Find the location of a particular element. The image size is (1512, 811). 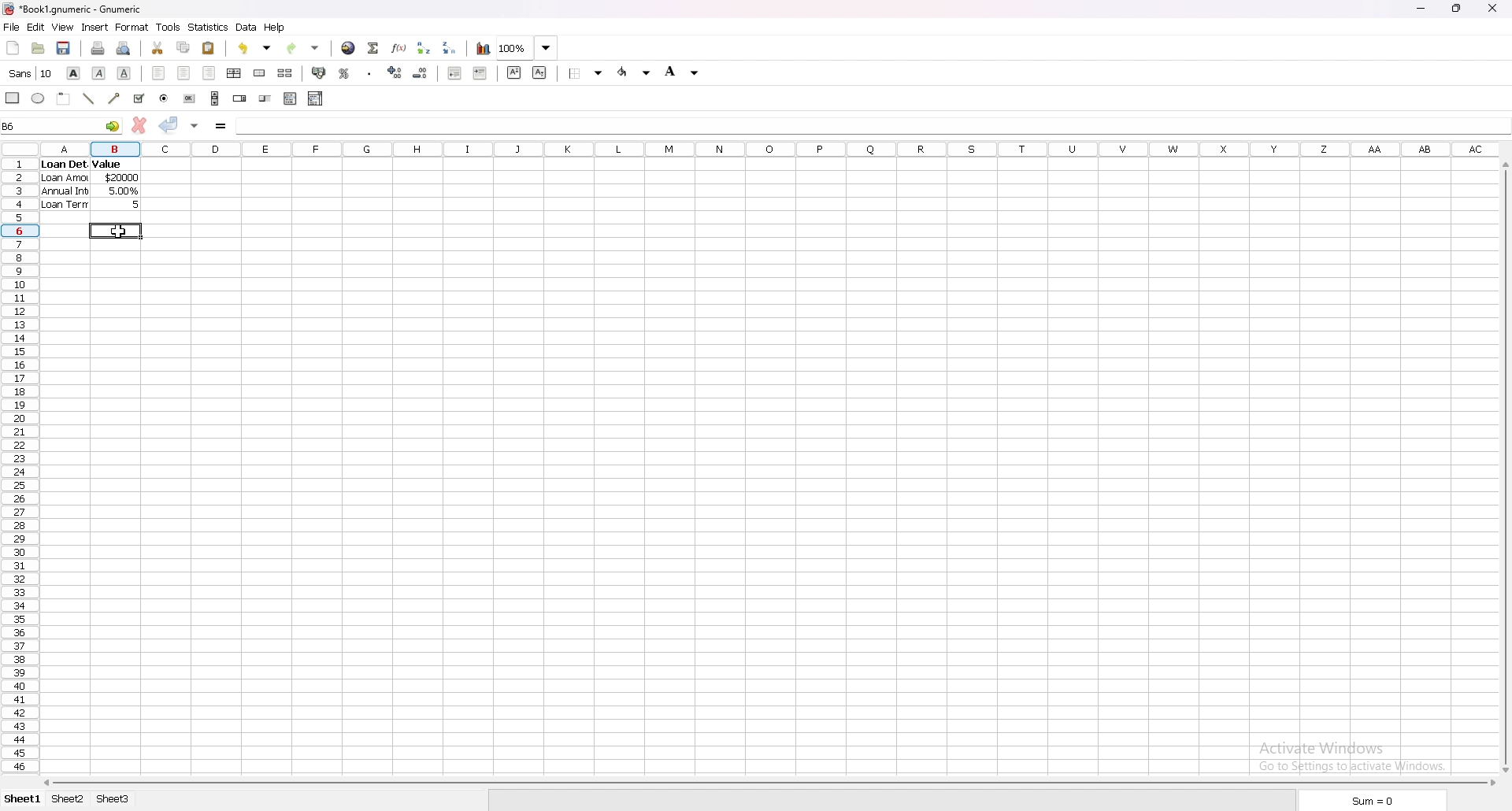

print is located at coordinates (99, 47).